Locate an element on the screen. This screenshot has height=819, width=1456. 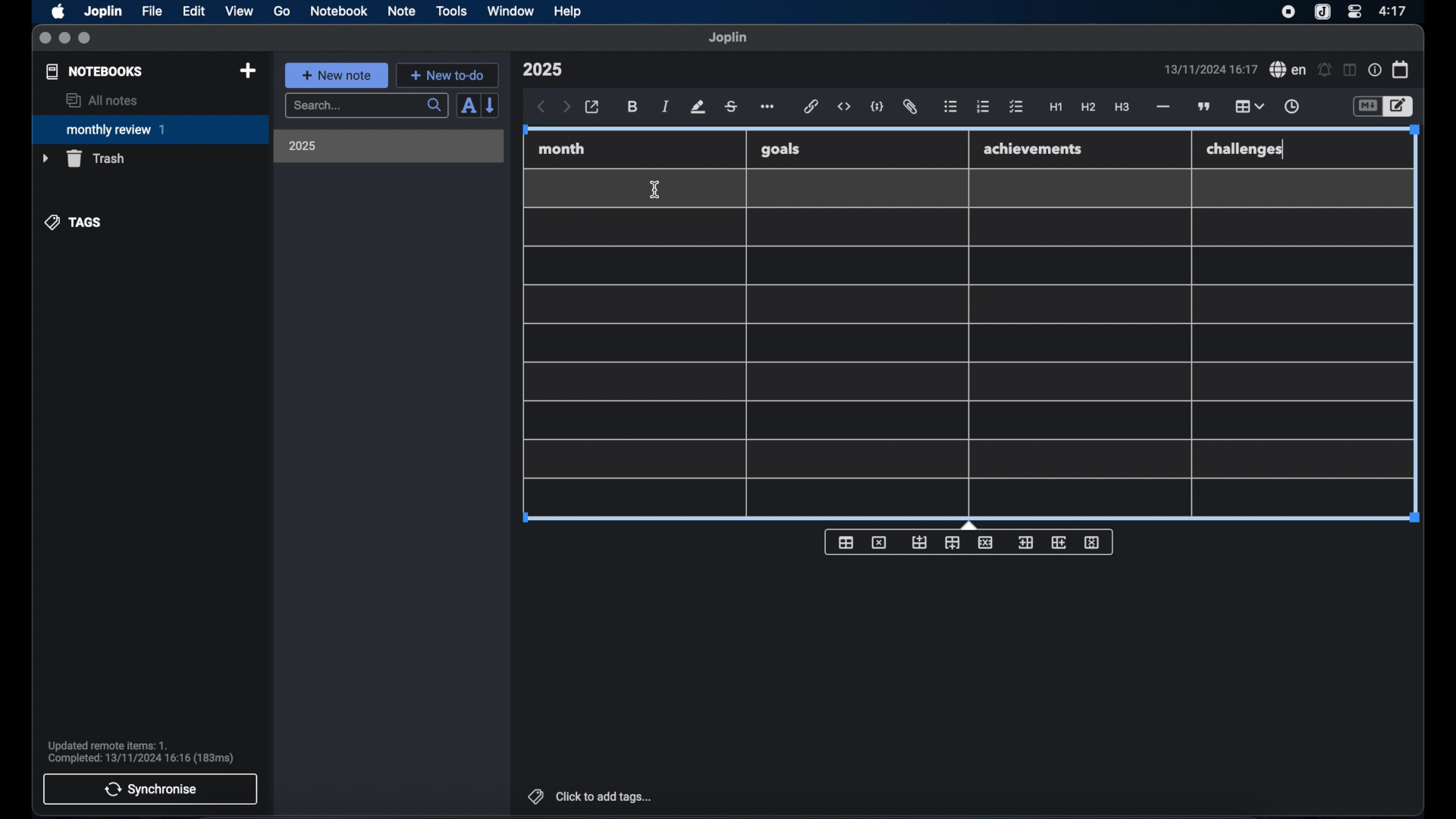
set alarm is located at coordinates (1325, 71).